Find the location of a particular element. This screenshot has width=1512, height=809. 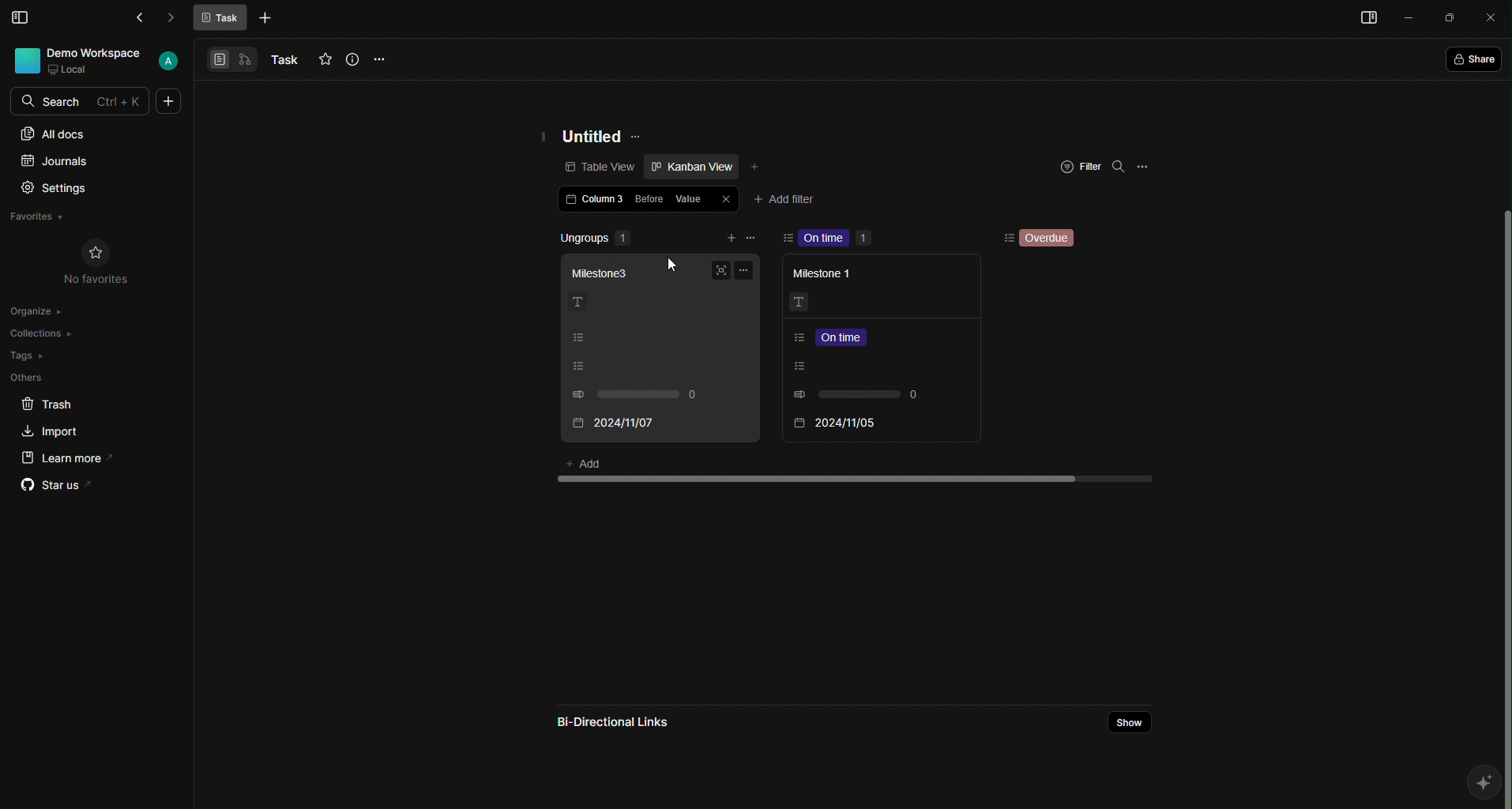

Task is located at coordinates (220, 18).